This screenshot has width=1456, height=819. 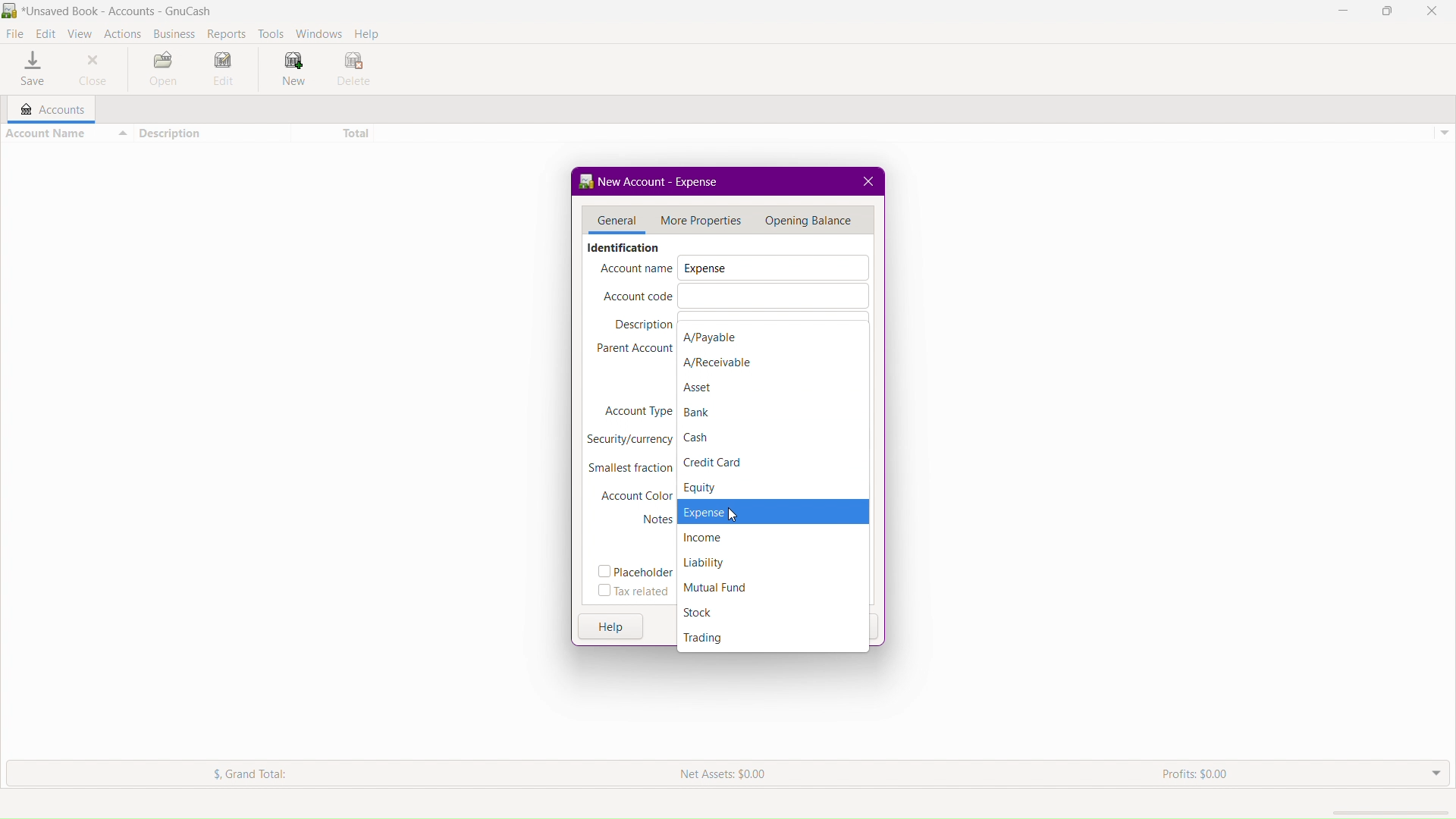 What do you see at coordinates (638, 495) in the screenshot?
I see `Account Color` at bounding box center [638, 495].